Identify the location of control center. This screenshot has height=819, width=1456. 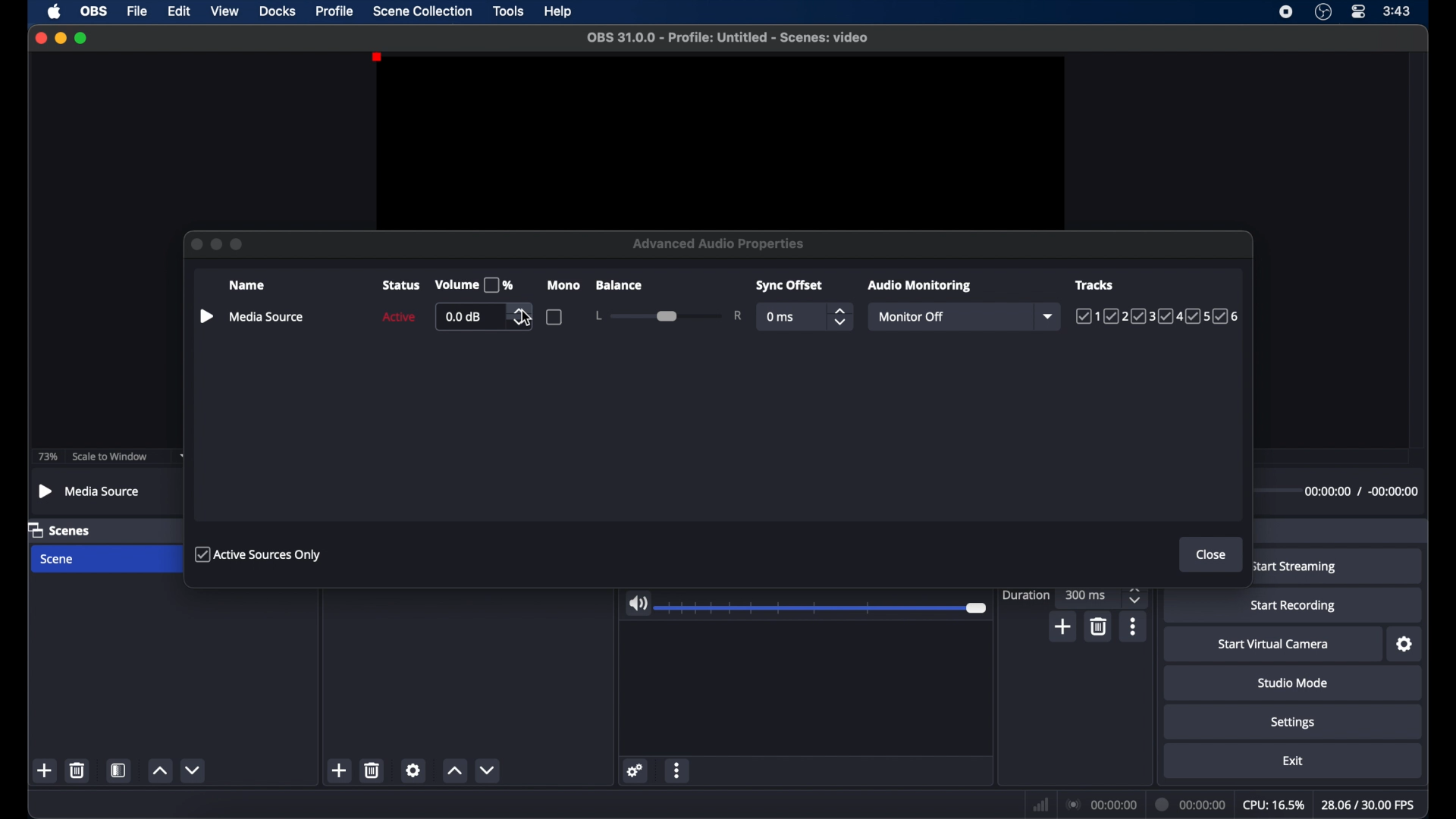
(1357, 11).